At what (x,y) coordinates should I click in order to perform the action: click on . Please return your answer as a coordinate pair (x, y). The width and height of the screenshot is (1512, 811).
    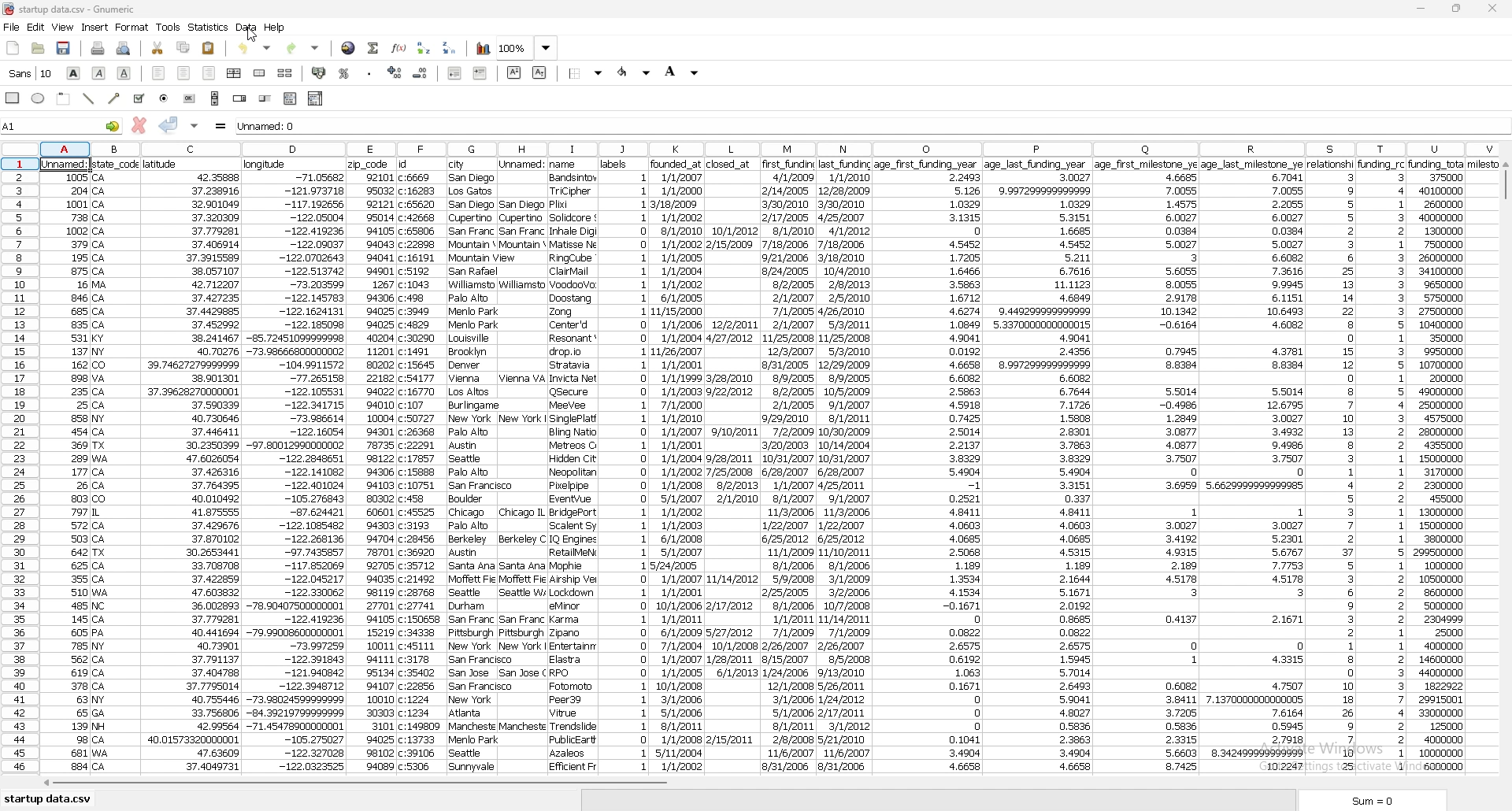
    Looking at the image, I should click on (117, 466).